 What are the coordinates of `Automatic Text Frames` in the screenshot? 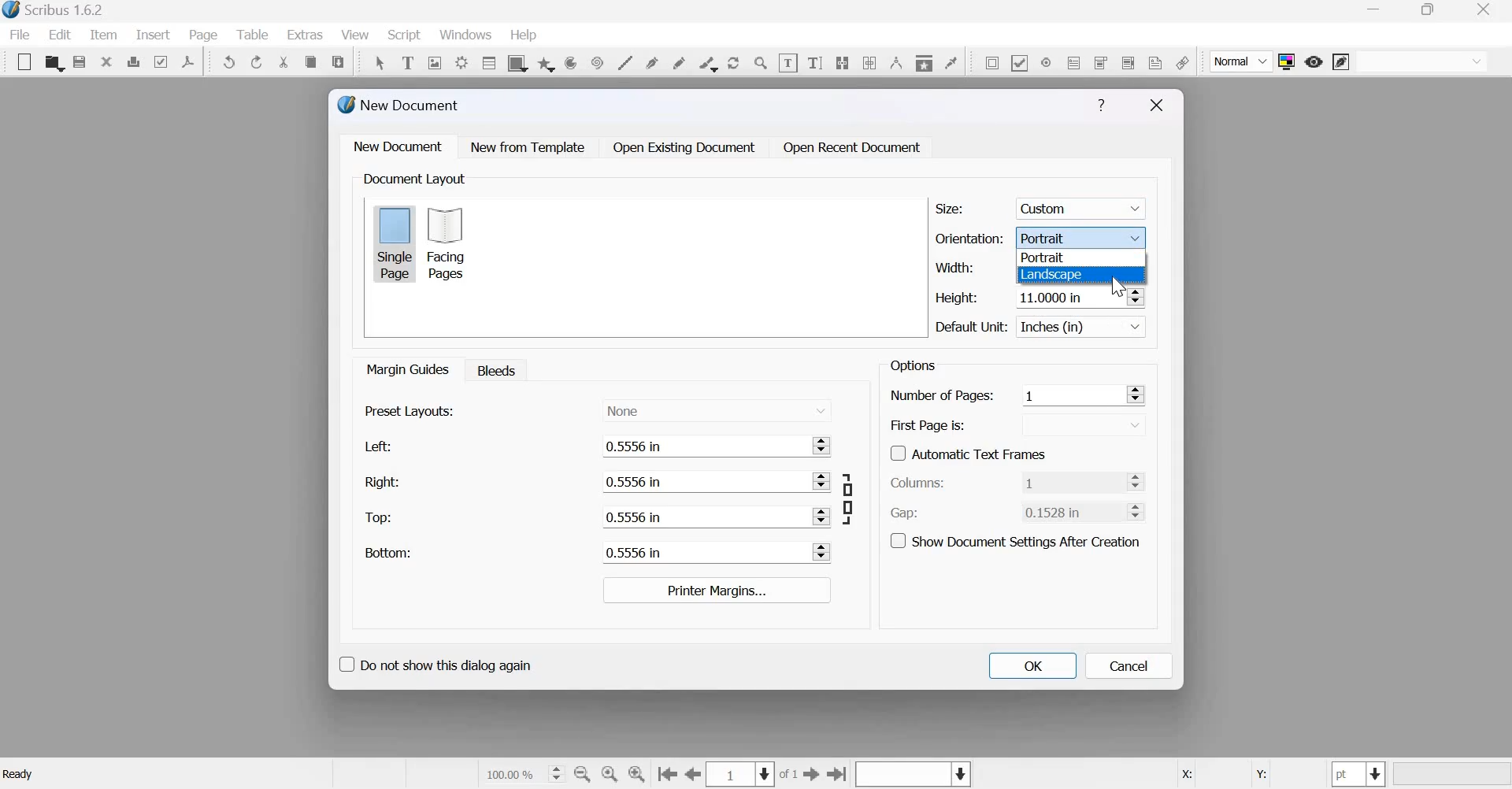 It's located at (969, 452).